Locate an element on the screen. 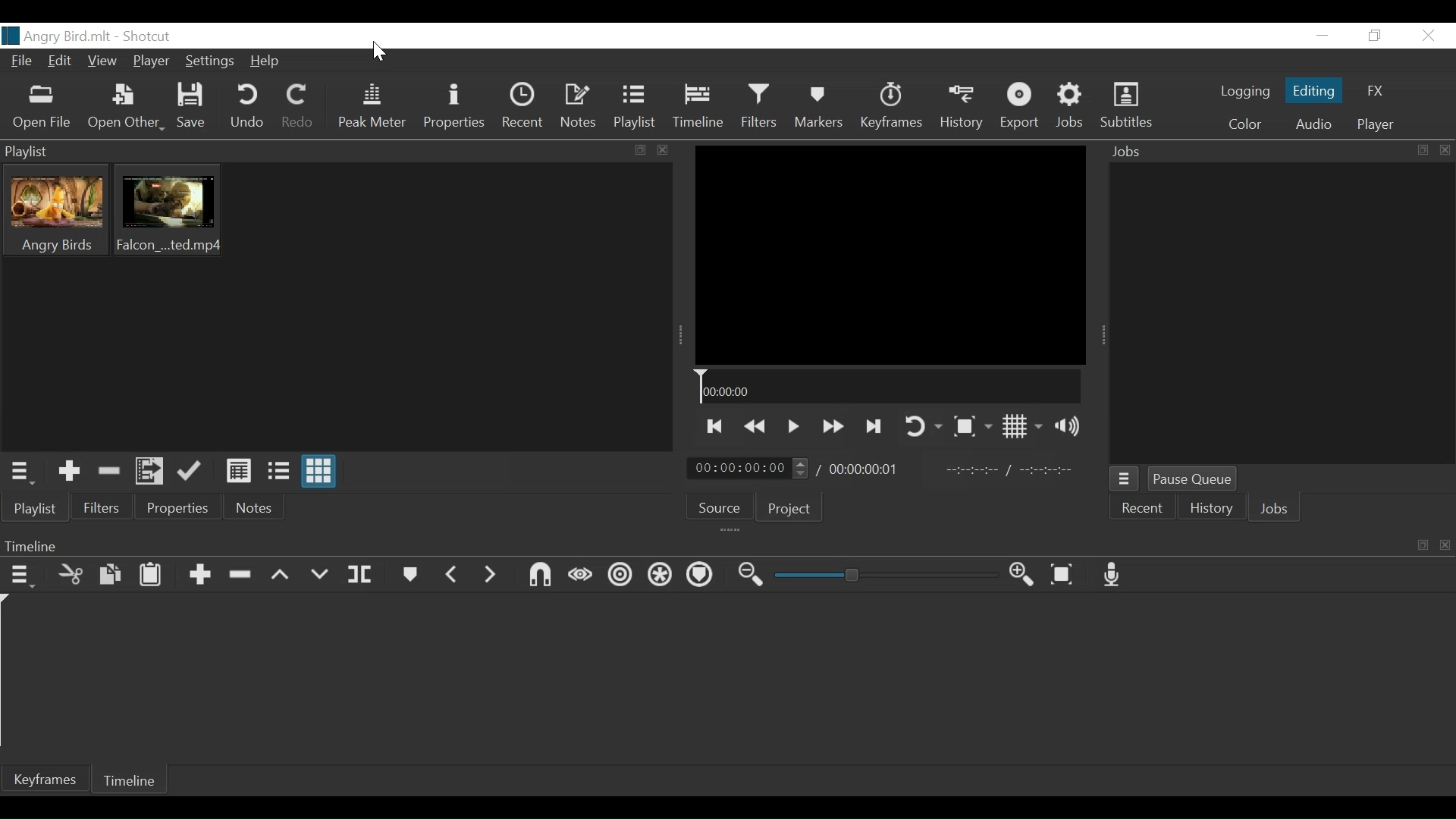 The image size is (1456, 819). Playlist is located at coordinates (37, 510).